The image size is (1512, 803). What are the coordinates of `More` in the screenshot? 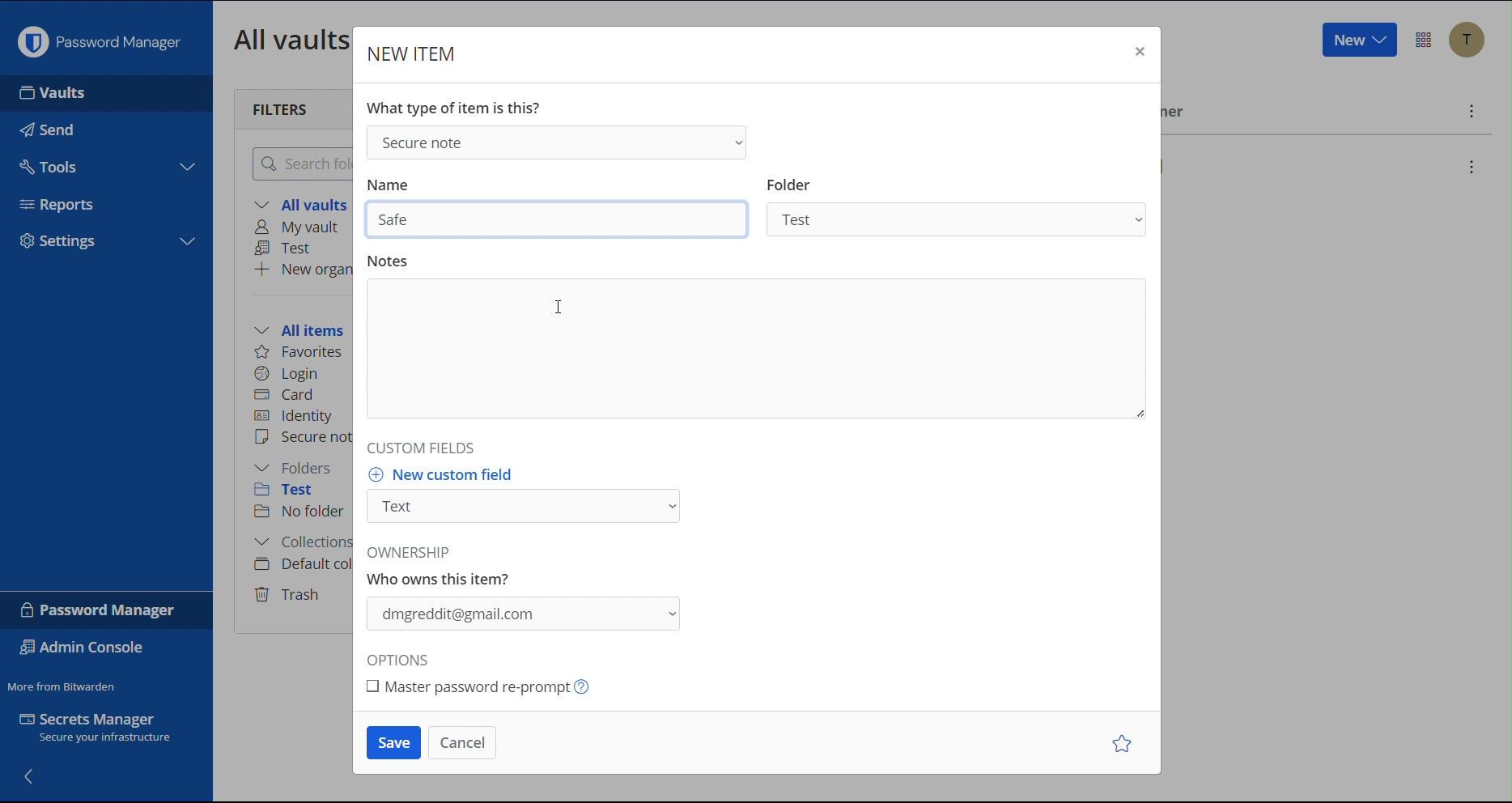 It's located at (1469, 111).